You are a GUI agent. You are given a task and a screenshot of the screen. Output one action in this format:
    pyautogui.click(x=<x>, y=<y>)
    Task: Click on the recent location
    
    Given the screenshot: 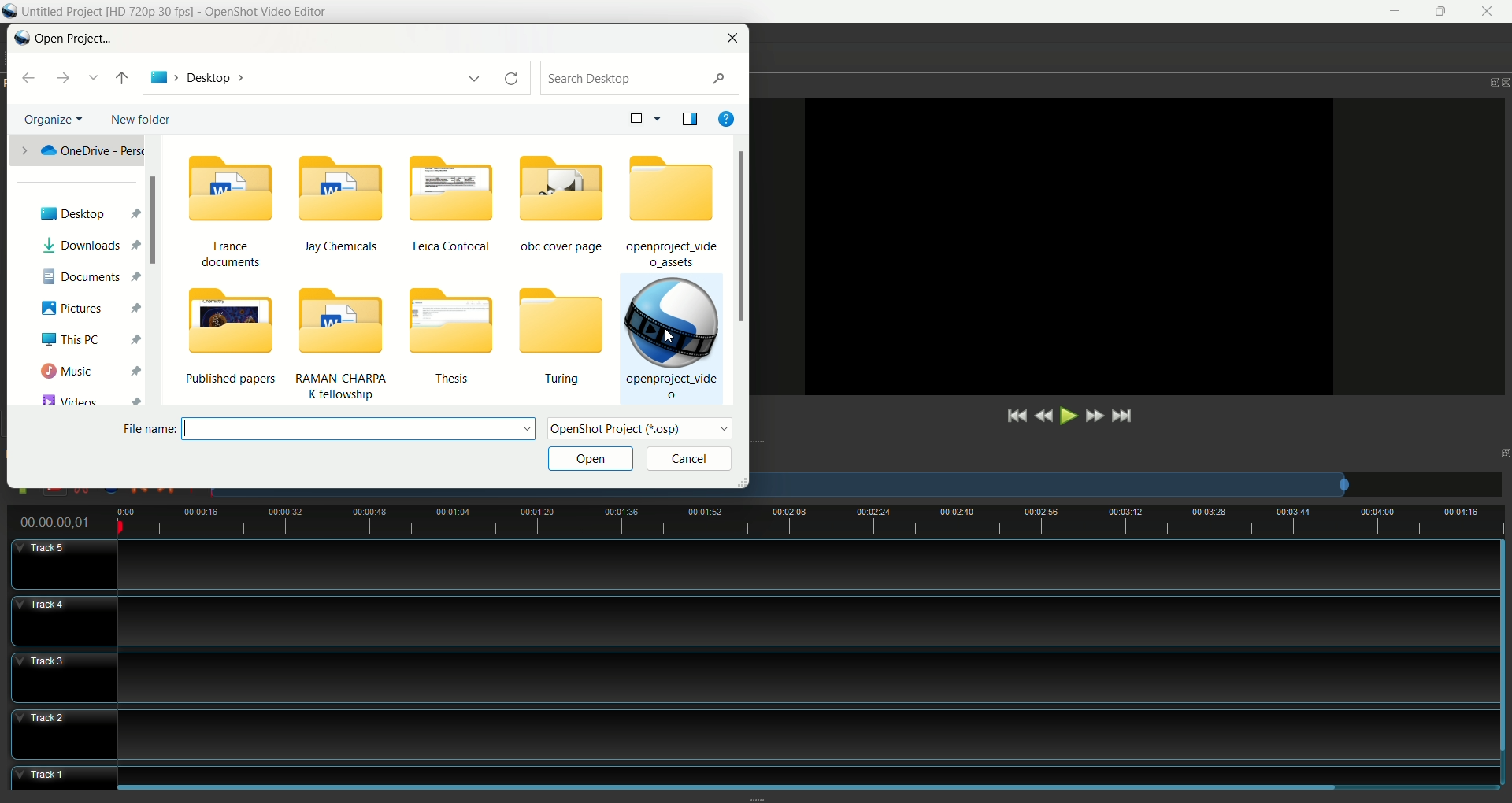 What is the action you would take?
    pyautogui.click(x=95, y=77)
    